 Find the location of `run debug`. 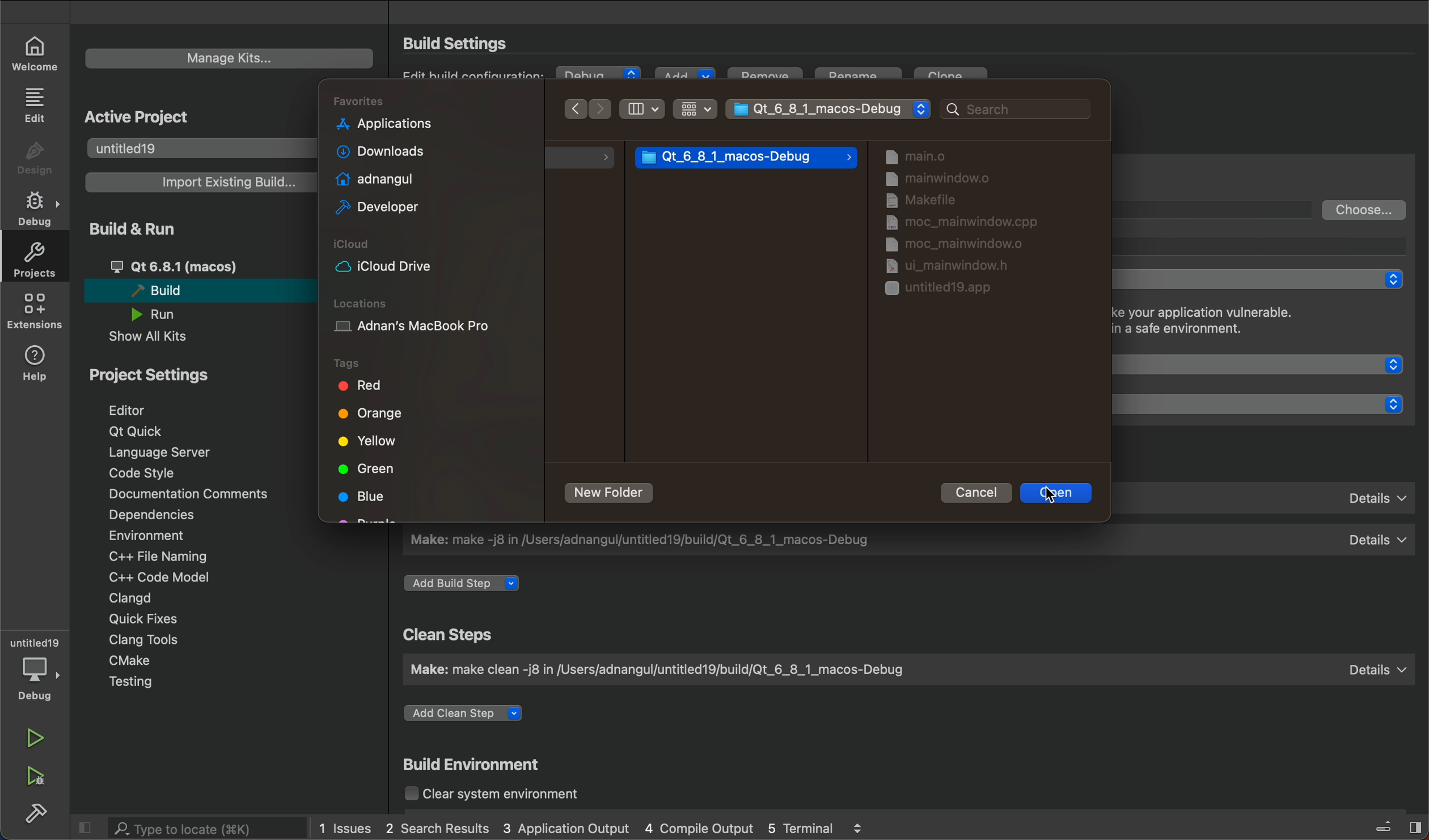

run debug is located at coordinates (37, 774).